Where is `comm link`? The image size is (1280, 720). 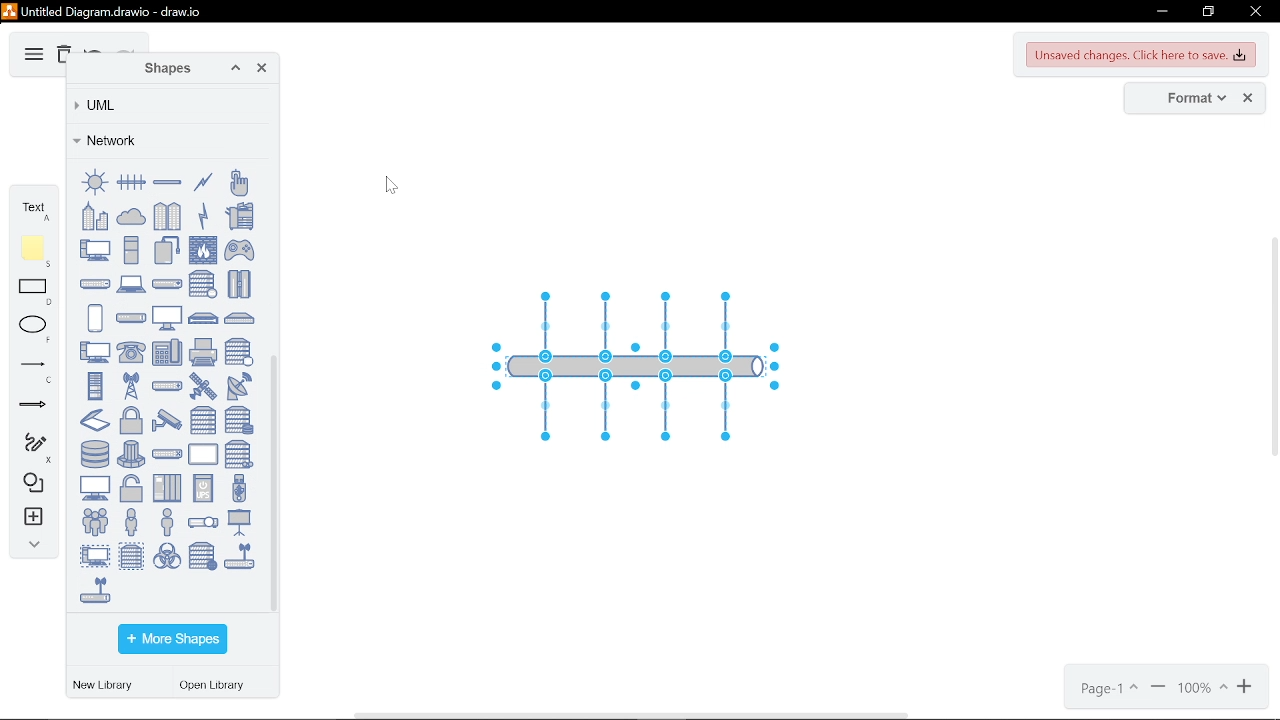
comm link is located at coordinates (203, 182).